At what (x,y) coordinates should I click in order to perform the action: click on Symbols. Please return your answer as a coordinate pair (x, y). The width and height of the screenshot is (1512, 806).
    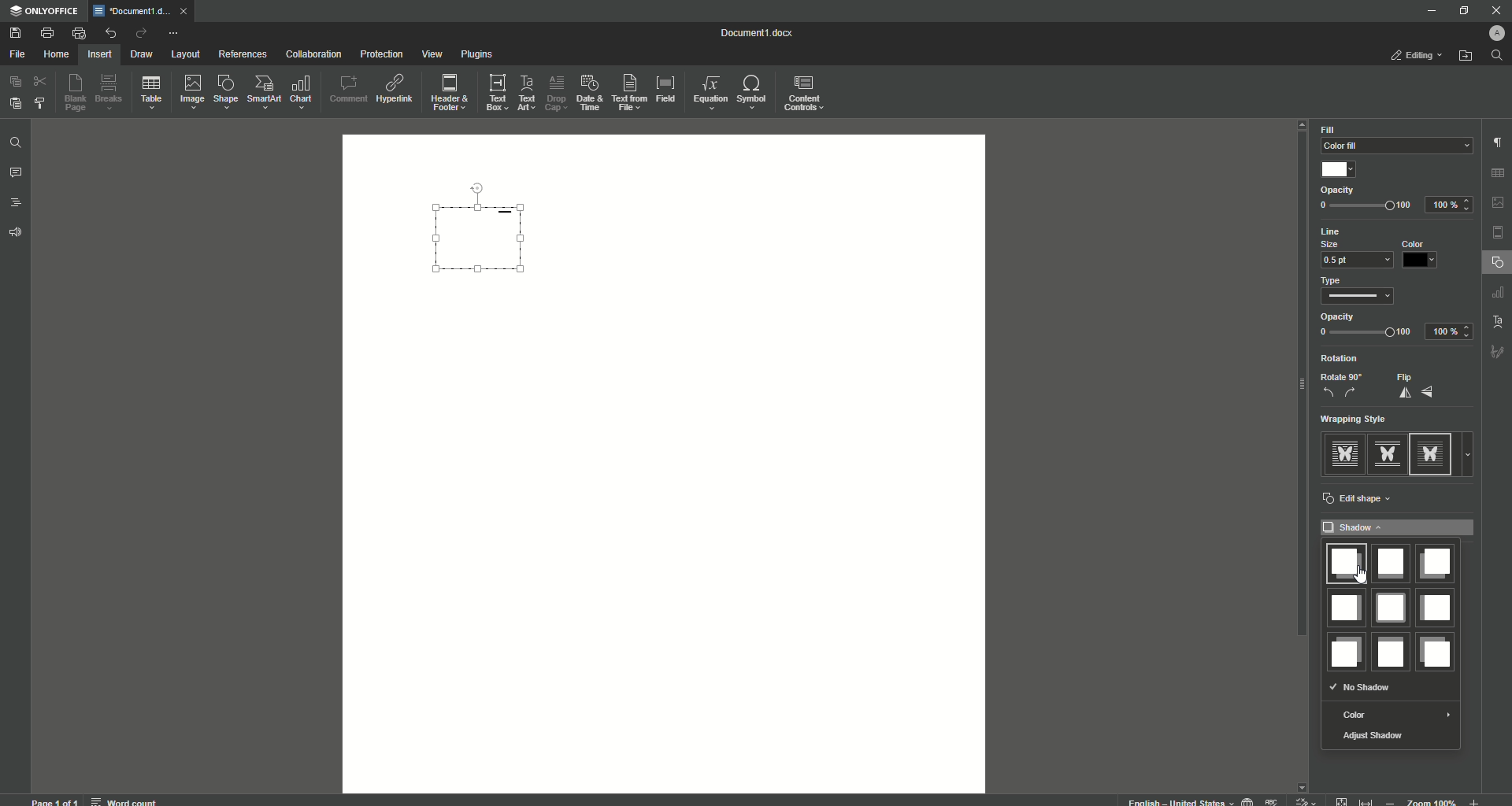
    Looking at the image, I should click on (750, 92).